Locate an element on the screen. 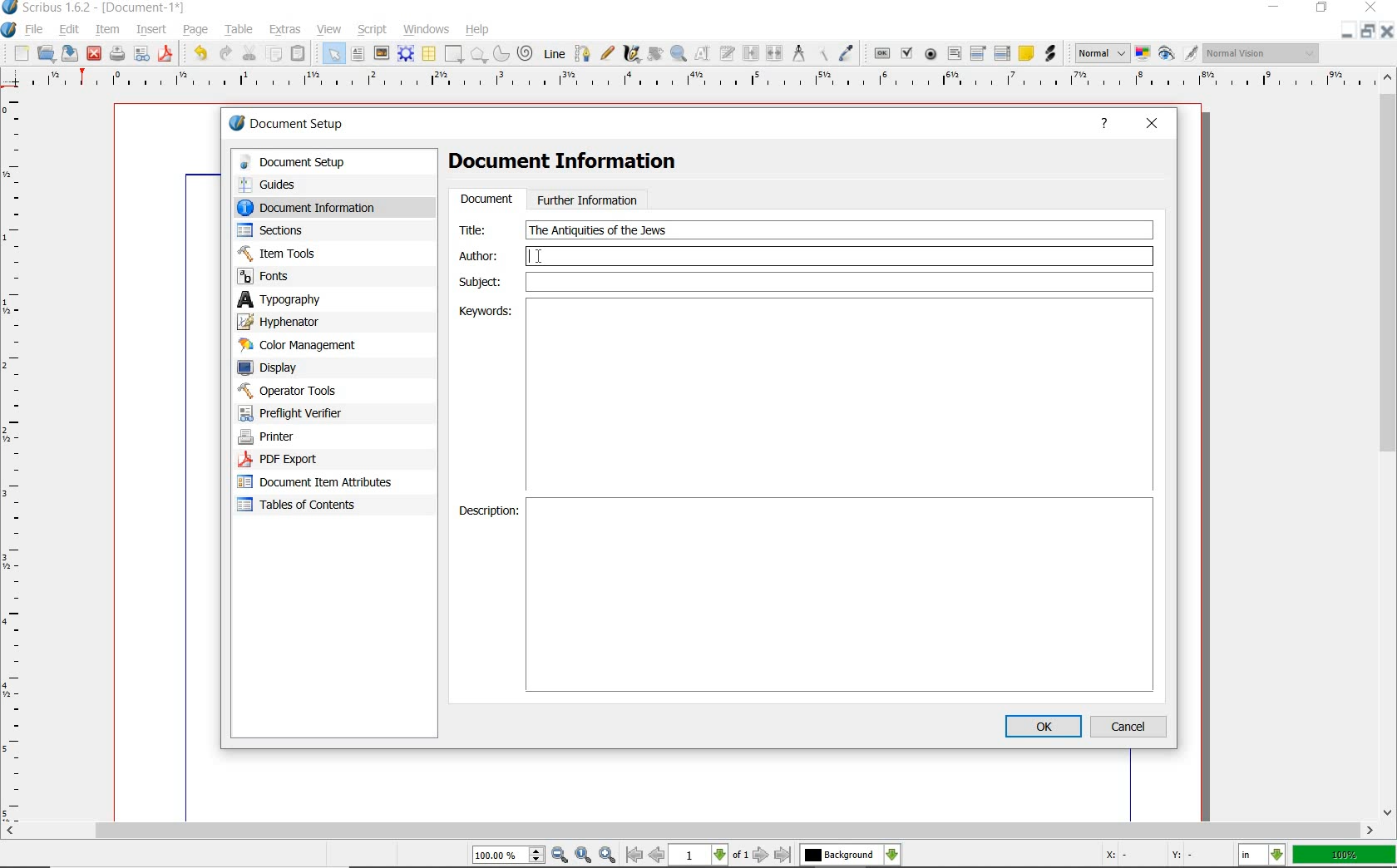 This screenshot has height=868, width=1397. rotate item is located at coordinates (655, 55).